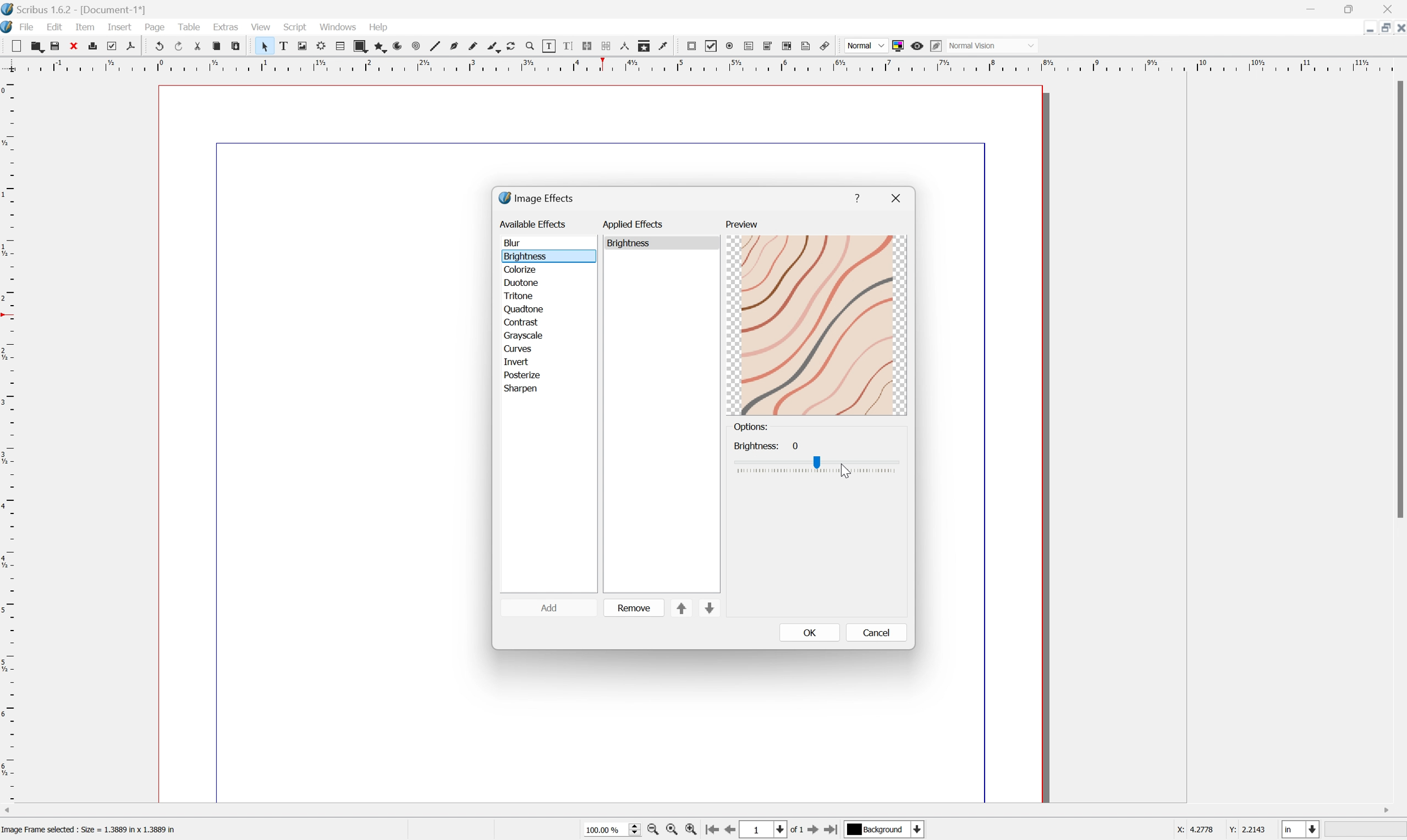  I want to click on Bezier curve, so click(457, 44).